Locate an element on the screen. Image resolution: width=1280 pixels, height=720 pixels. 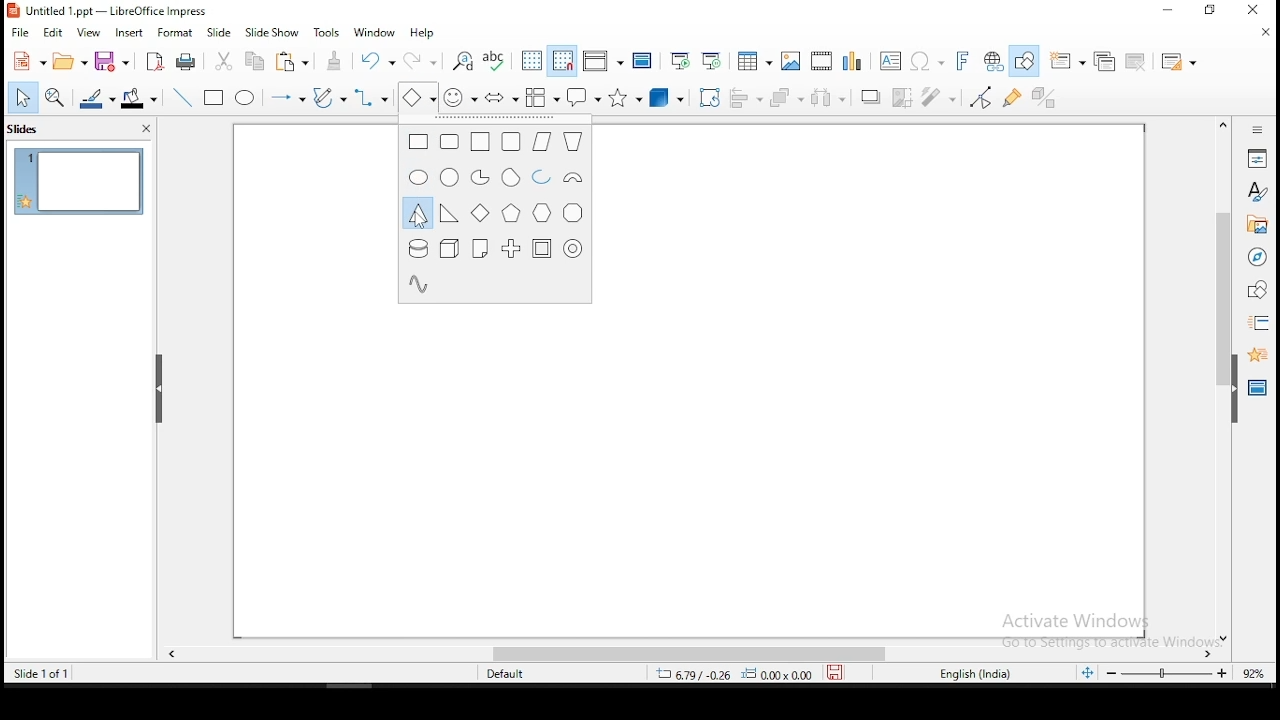
open is located at coordinates (71, 64).